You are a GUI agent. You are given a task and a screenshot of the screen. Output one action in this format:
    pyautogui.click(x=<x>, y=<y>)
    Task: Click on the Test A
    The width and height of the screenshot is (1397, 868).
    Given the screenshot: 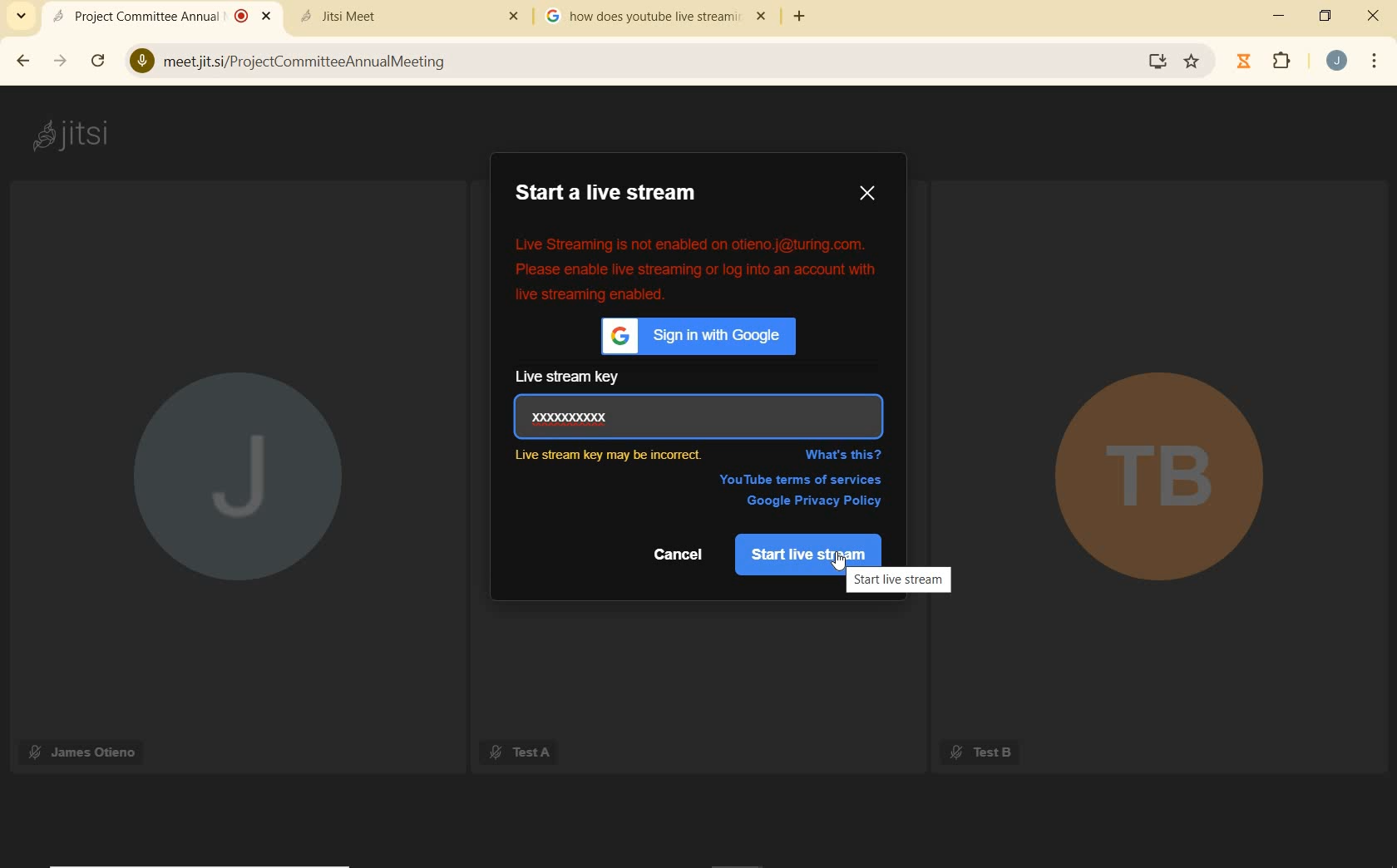 What is the action you would take?
    pyautogui.click(x=521, y=752)
    